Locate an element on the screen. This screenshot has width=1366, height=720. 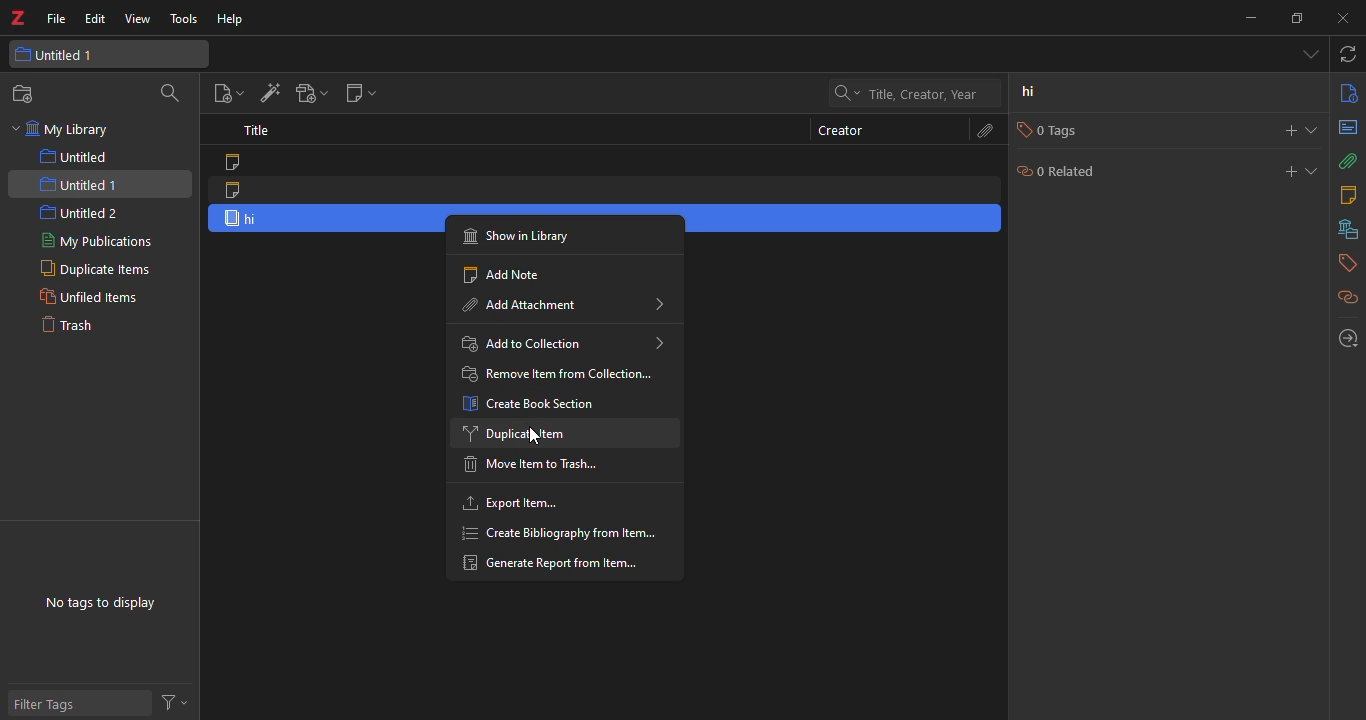
cursor is located at coordinates (540, 436).